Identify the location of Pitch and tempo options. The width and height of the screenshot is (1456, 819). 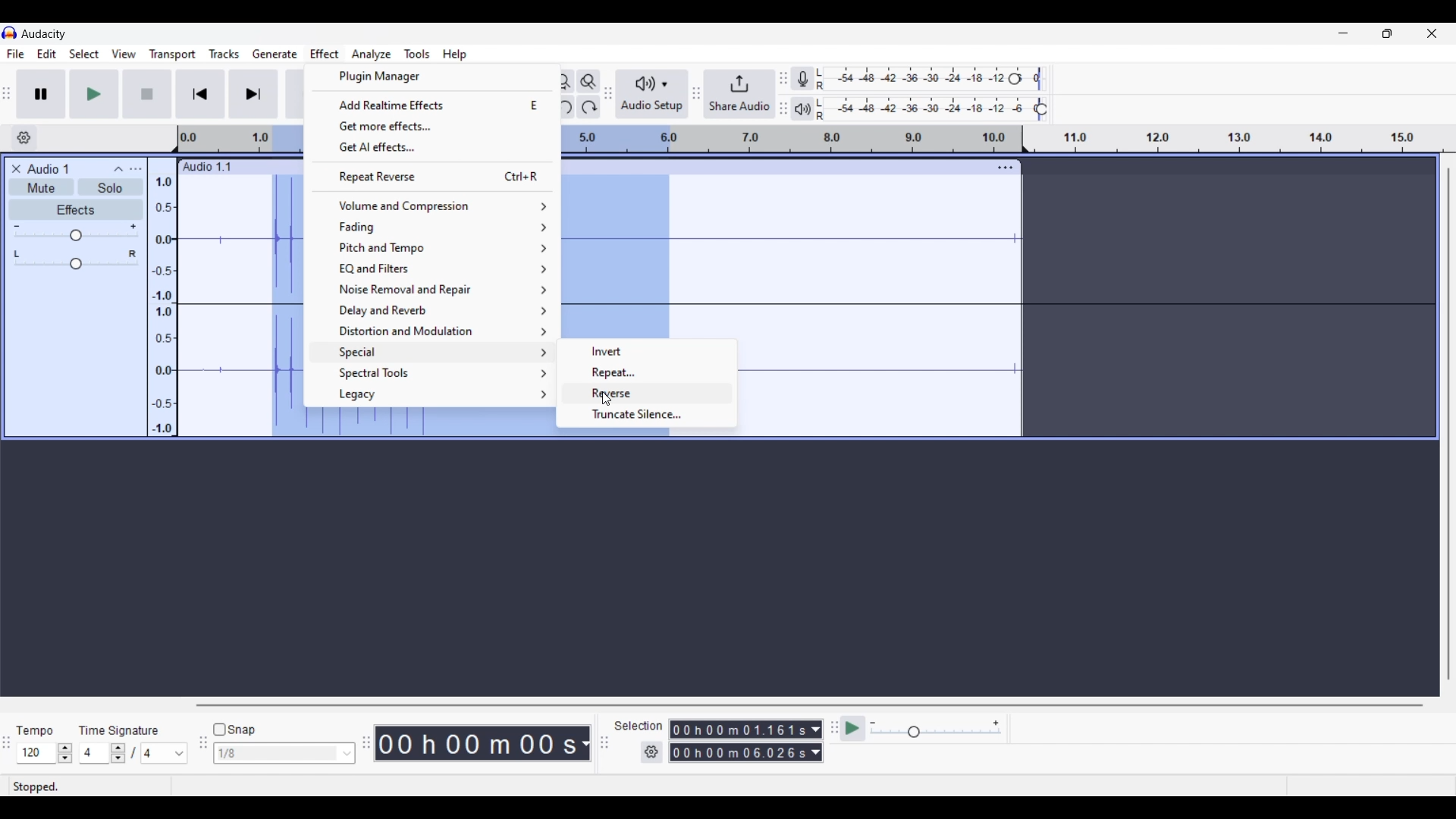
(431, 249).